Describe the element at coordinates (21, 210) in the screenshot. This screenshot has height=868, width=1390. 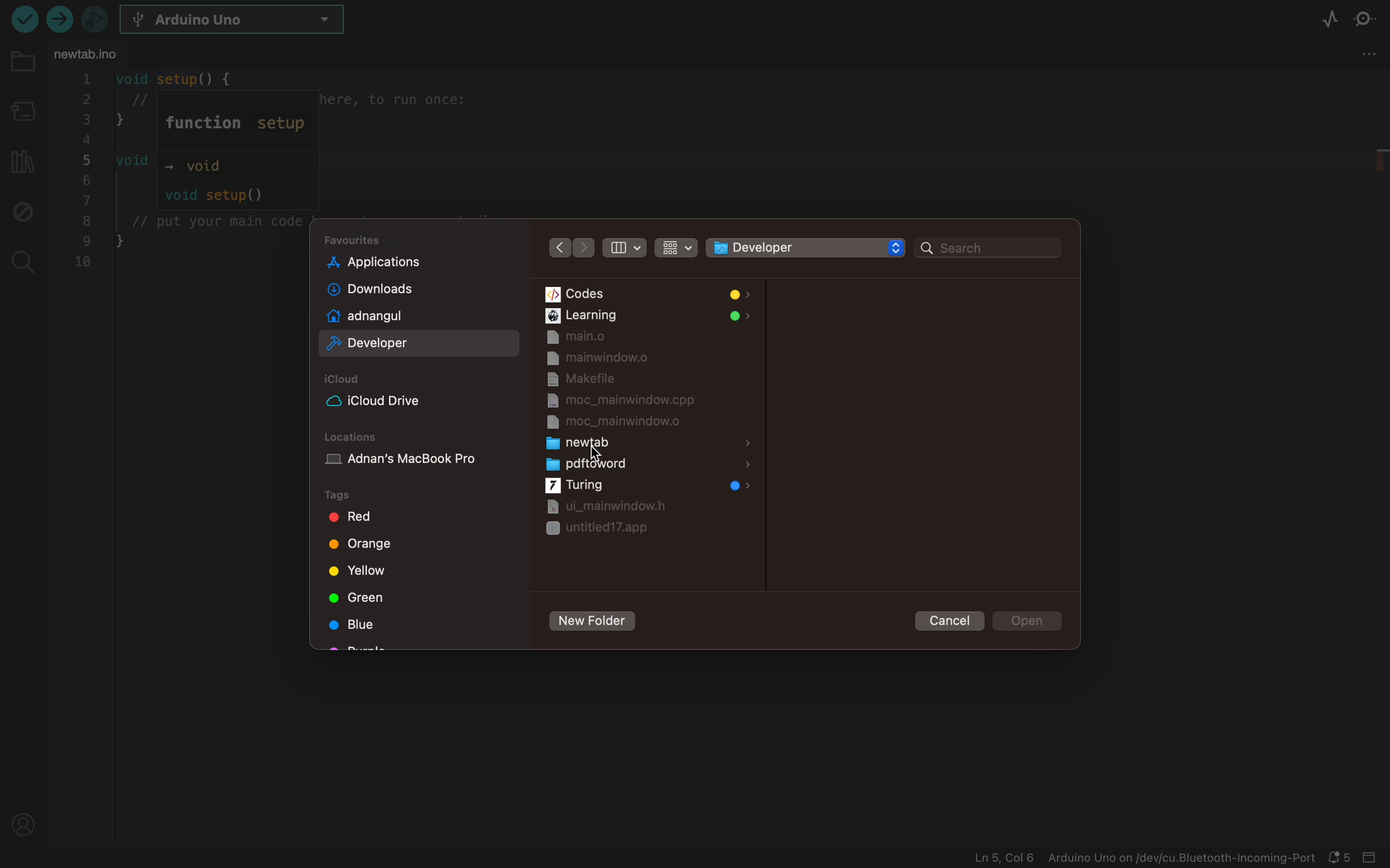
I see `debug` at that location.